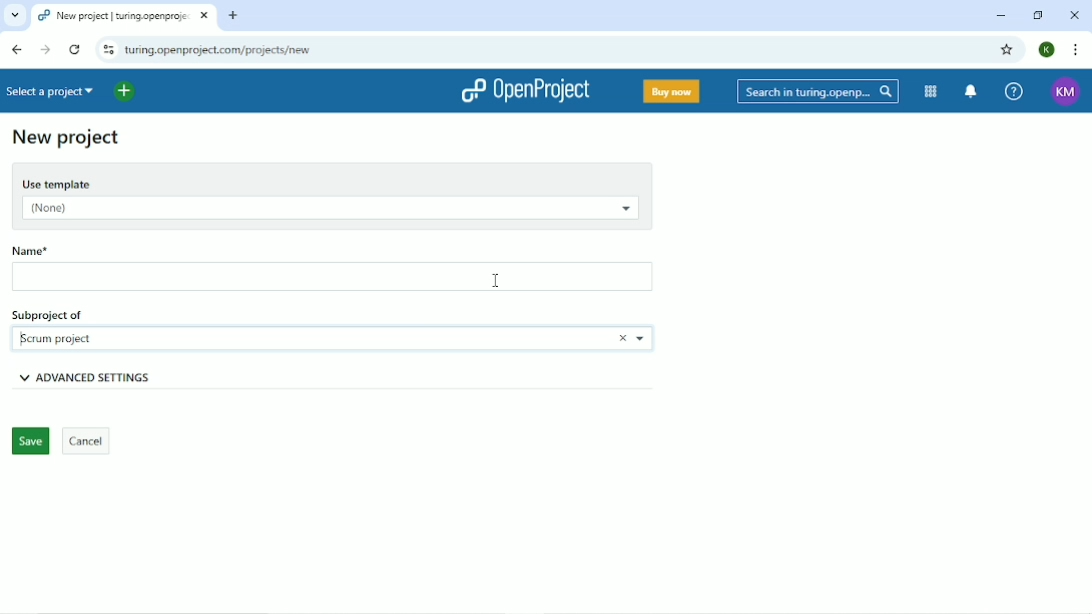 This screenshot has height=614, width=1092. Describe the element at coordinates (124, 377) in the screenshot. I see `Advanced settings` at that location.